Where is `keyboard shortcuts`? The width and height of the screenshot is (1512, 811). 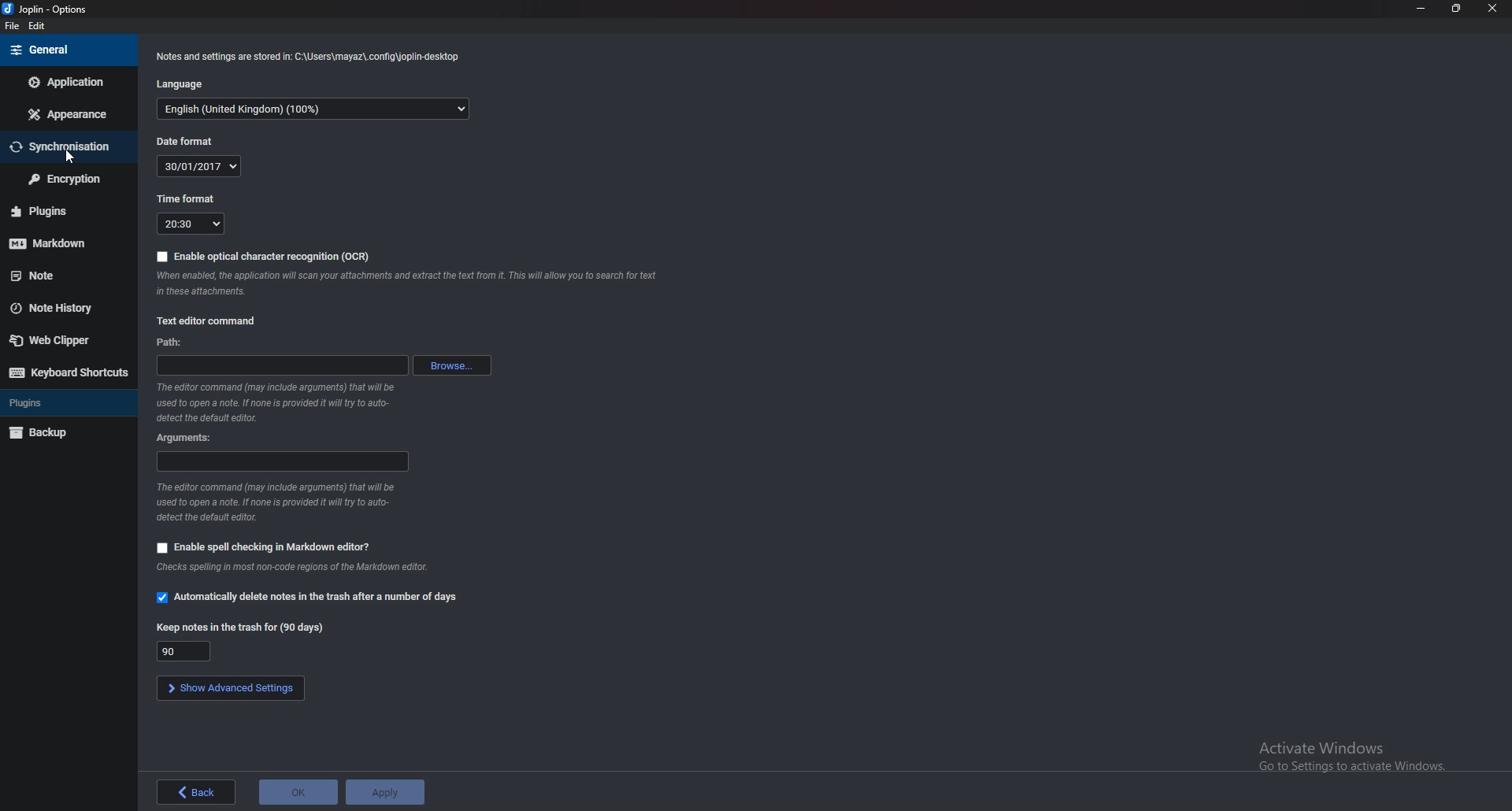
keyboard shortcuts is located at coordinates (69, 372).